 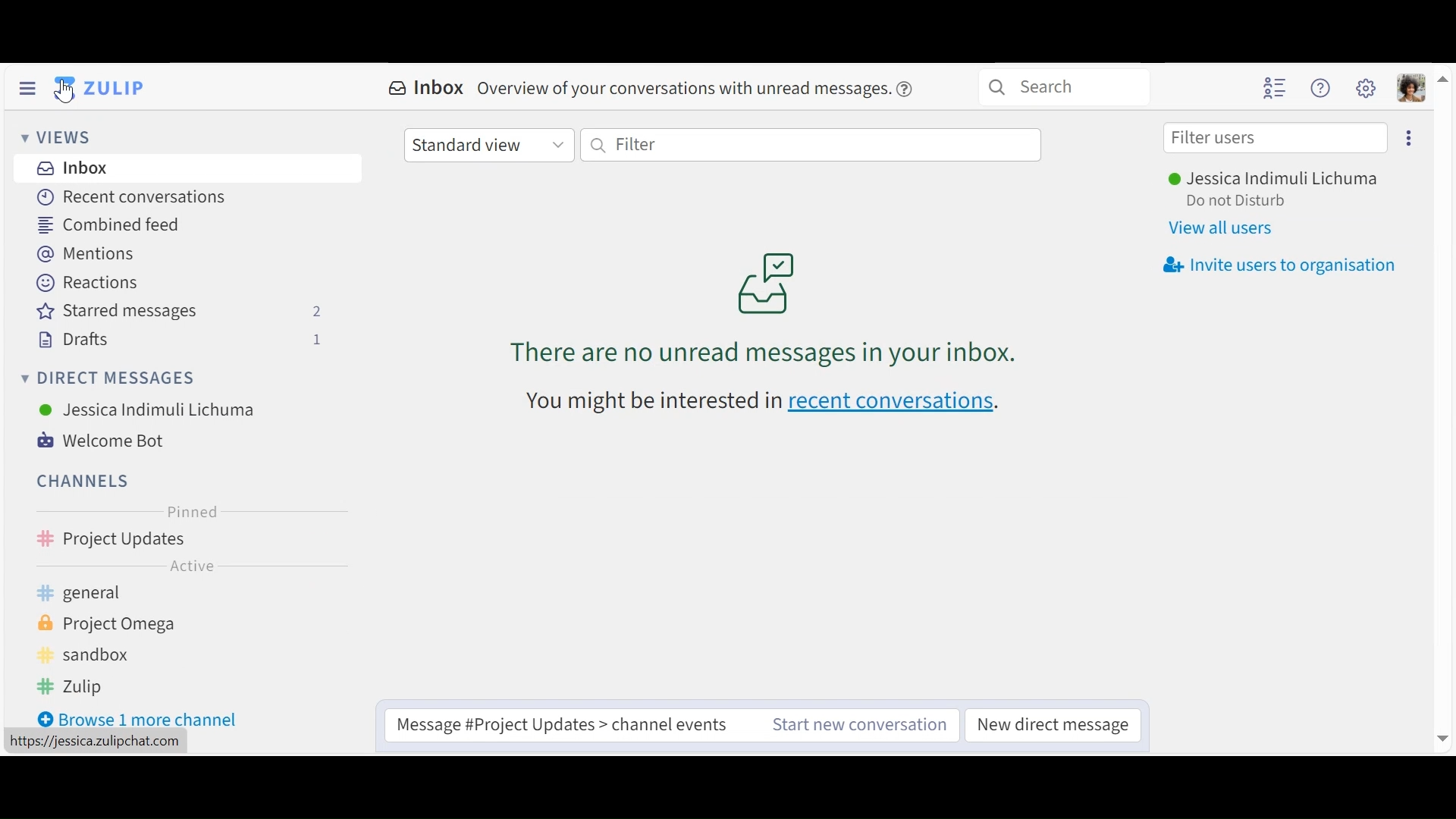 I want to click on Pinned, so click(x=198, y=512).